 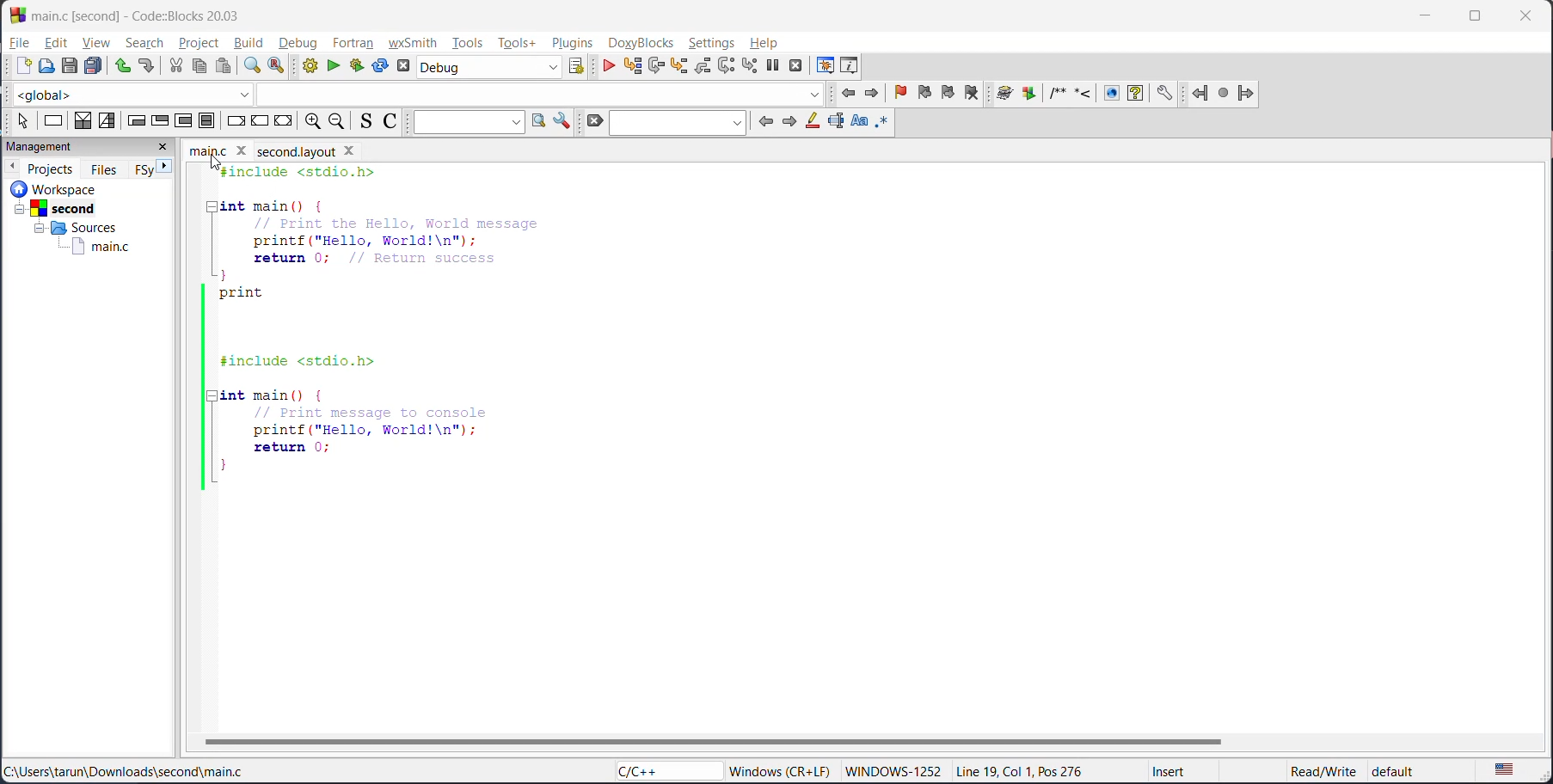 What do you see at coordinates (725, 66) in the screenshot?
I see `next instruction` at bounding box center [725, 66].